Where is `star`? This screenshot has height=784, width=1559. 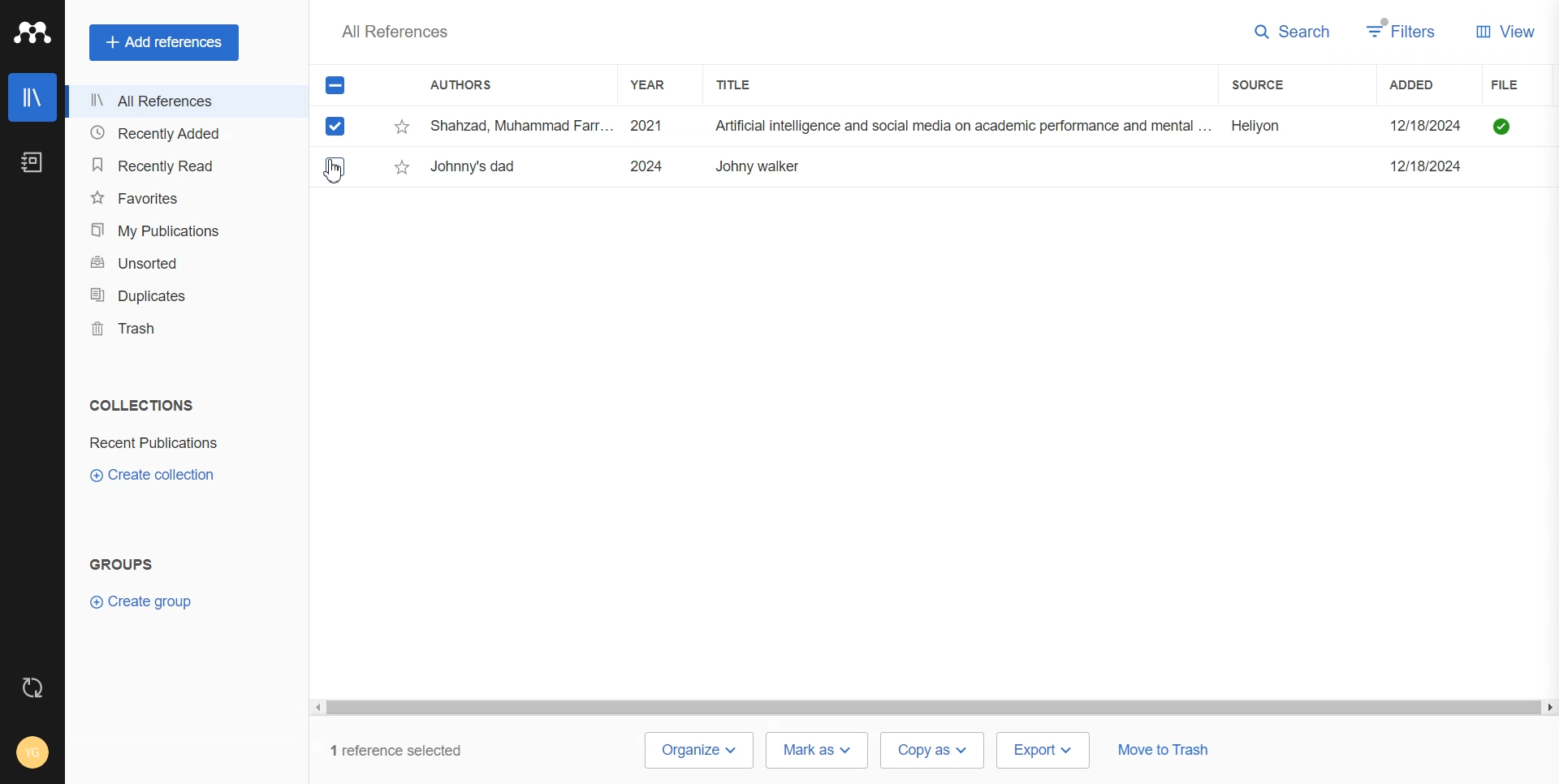
star is located at coordinates (402, 167).